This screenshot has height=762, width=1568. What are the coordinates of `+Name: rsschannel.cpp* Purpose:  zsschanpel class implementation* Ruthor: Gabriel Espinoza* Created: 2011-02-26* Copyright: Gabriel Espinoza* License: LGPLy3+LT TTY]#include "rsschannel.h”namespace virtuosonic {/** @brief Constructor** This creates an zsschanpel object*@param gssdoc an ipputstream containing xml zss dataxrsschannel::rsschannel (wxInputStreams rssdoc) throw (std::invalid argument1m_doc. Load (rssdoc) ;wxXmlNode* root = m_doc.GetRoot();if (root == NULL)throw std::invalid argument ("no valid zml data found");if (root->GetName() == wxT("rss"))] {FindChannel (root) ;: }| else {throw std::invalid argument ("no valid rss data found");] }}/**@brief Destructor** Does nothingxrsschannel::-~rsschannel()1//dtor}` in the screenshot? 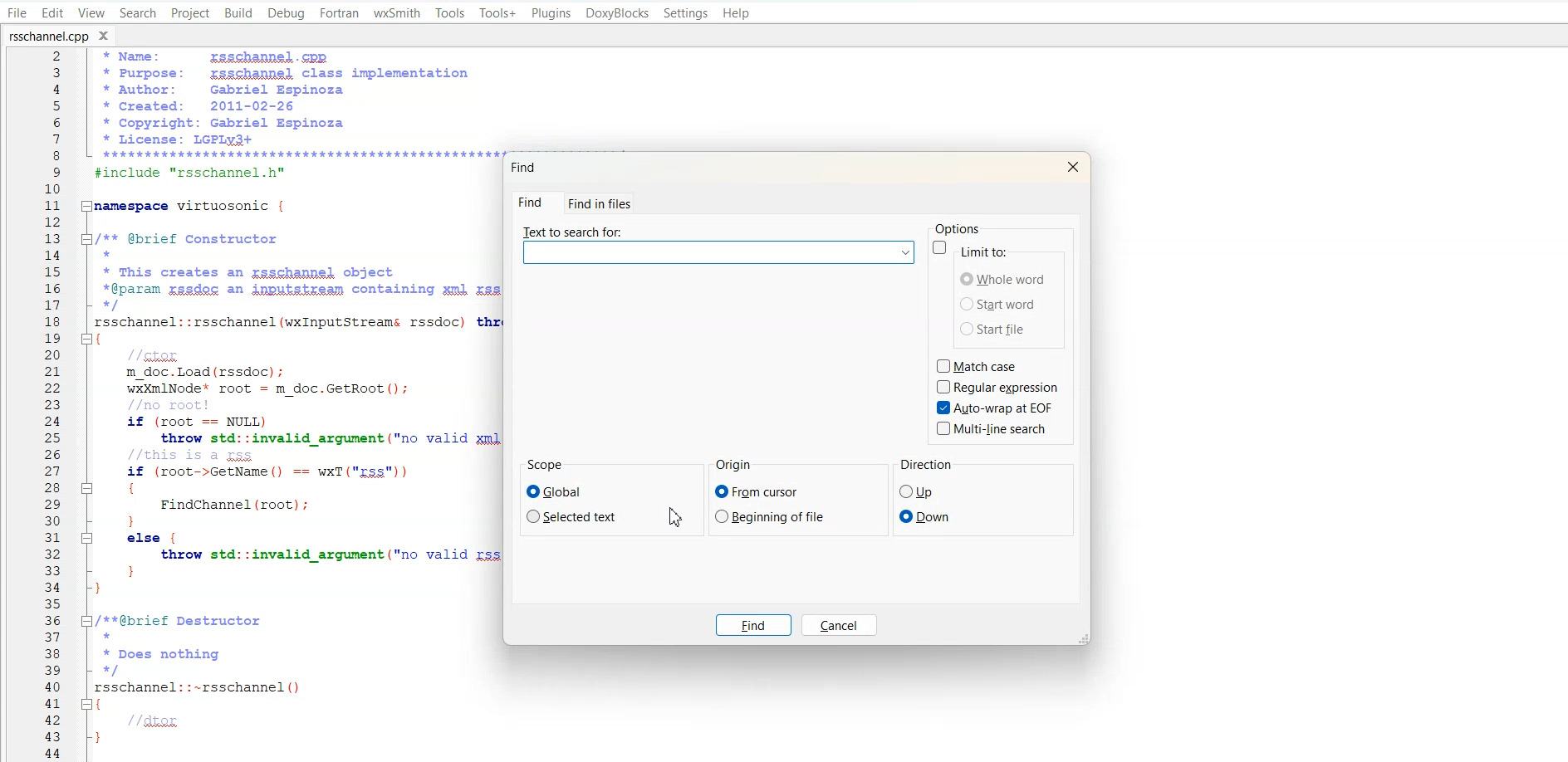 It's located at (301, 401).